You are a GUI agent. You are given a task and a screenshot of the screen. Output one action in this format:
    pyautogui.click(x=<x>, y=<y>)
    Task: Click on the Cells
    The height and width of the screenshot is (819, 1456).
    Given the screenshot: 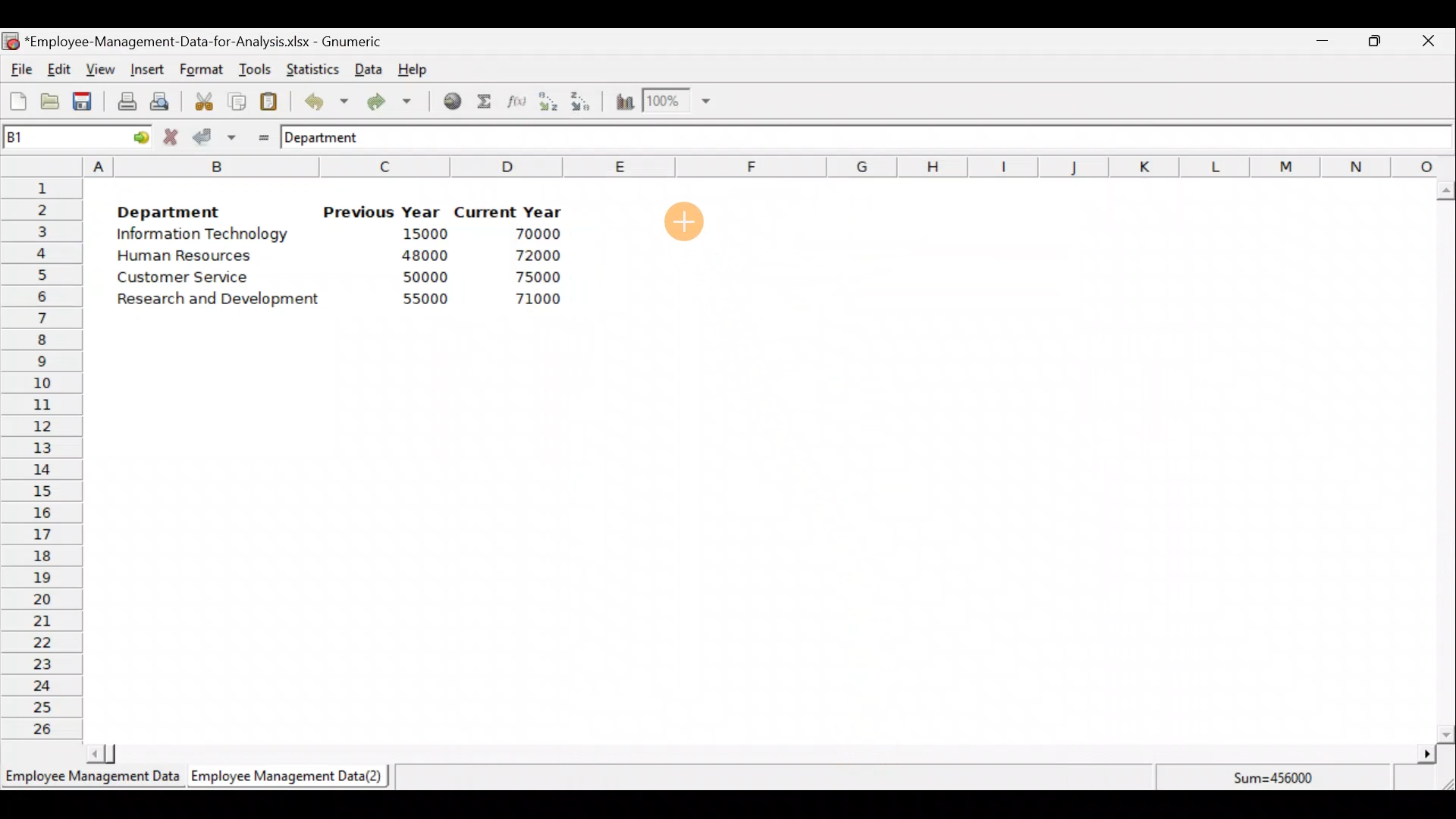 What is the action you would take?
    pyautogui.click(x=759, y=526)
    